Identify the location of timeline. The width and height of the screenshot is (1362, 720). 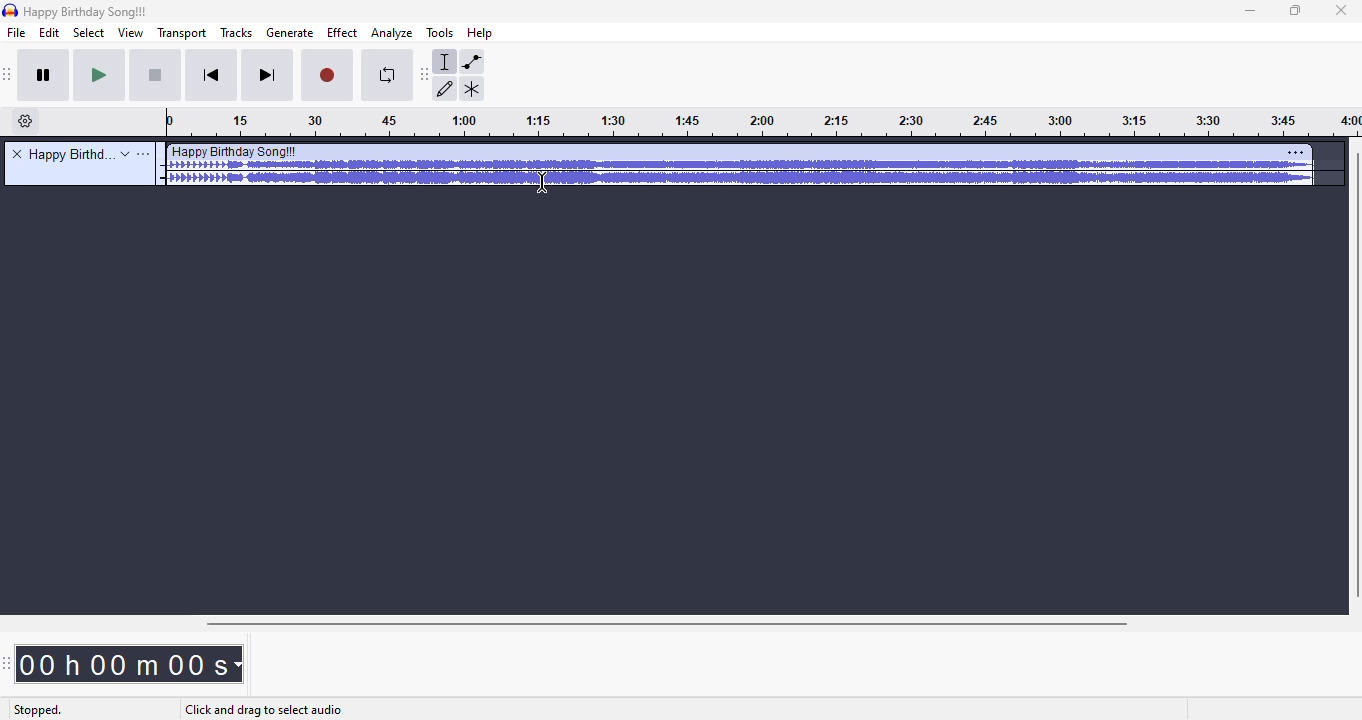
(763, 124).